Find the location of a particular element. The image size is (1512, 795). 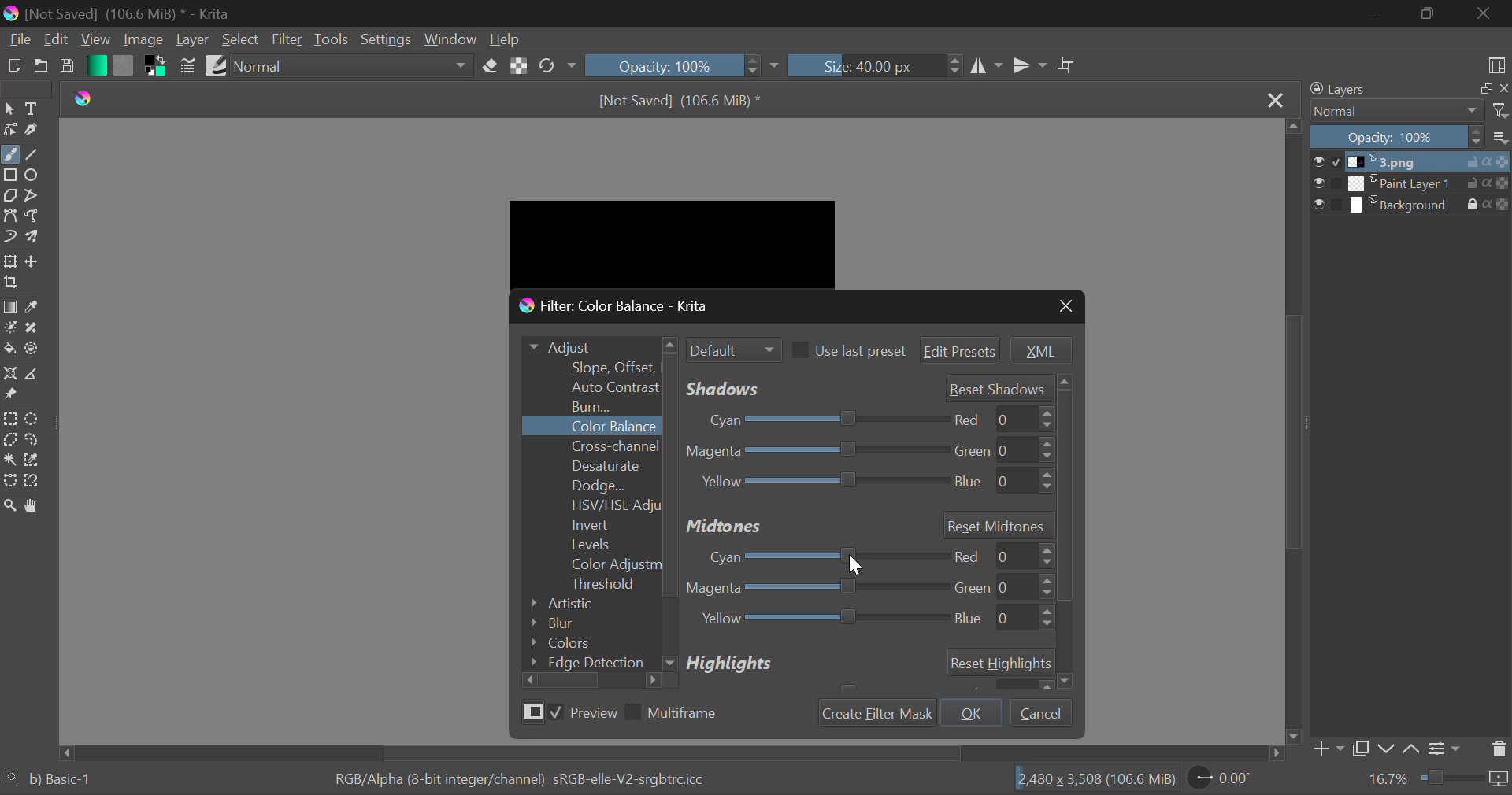

Create Filter Mask is located at coordinates (879, 712).